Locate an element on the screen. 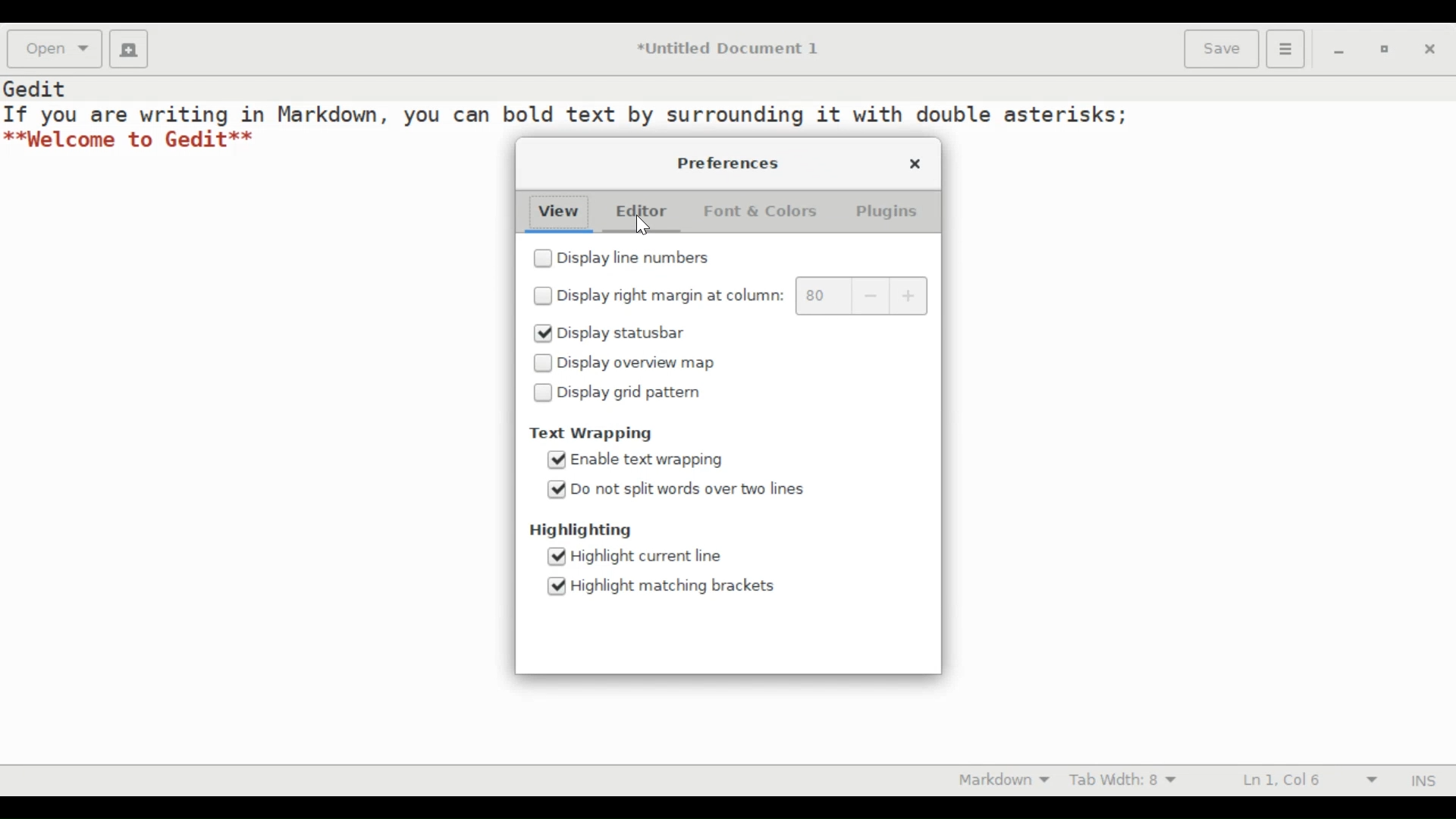 This screenshot has height=819, width=1456. margin value is located at coordinates (824, 296).